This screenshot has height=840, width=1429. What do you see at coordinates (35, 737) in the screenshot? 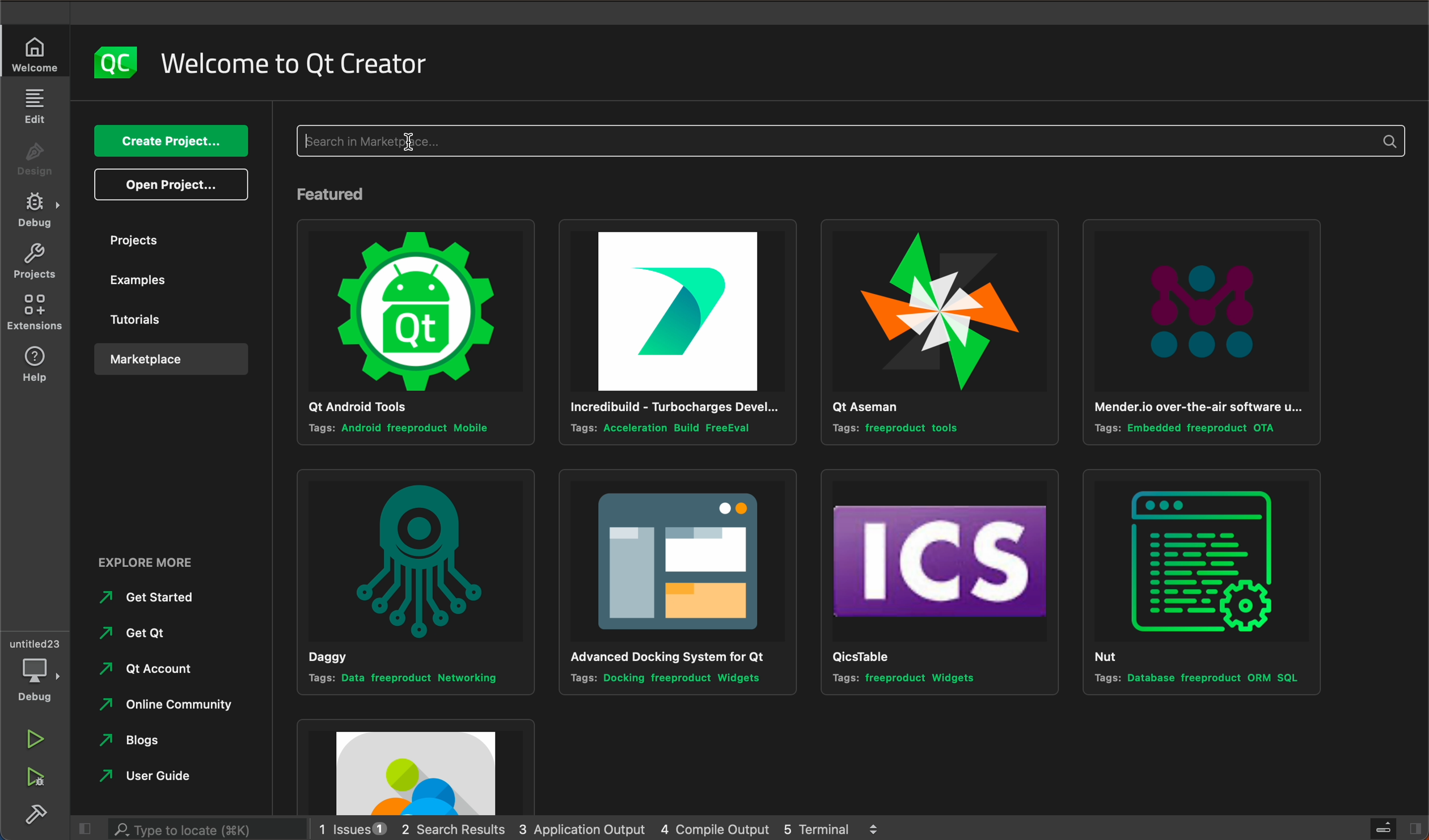
I see `run` at bounding box center [35, 737].